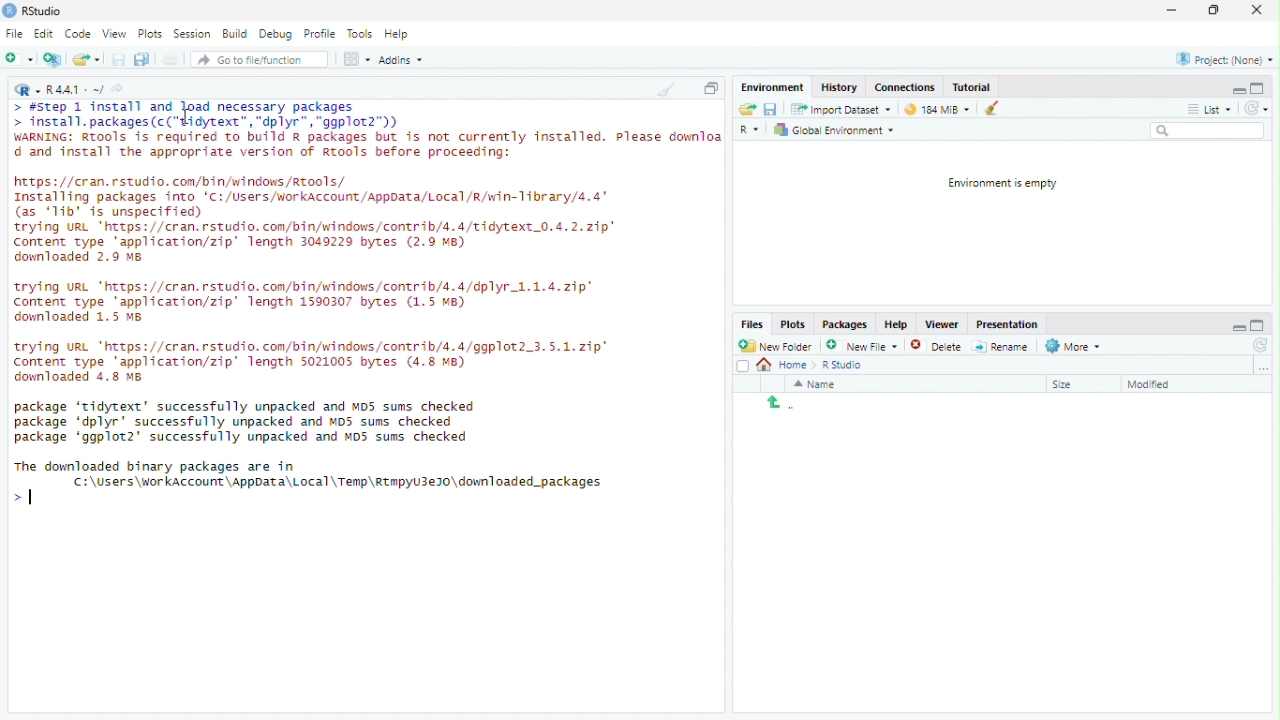 This screenshot has height=720, width=1280. I want to click on Workspace pane, so click(355, 60).